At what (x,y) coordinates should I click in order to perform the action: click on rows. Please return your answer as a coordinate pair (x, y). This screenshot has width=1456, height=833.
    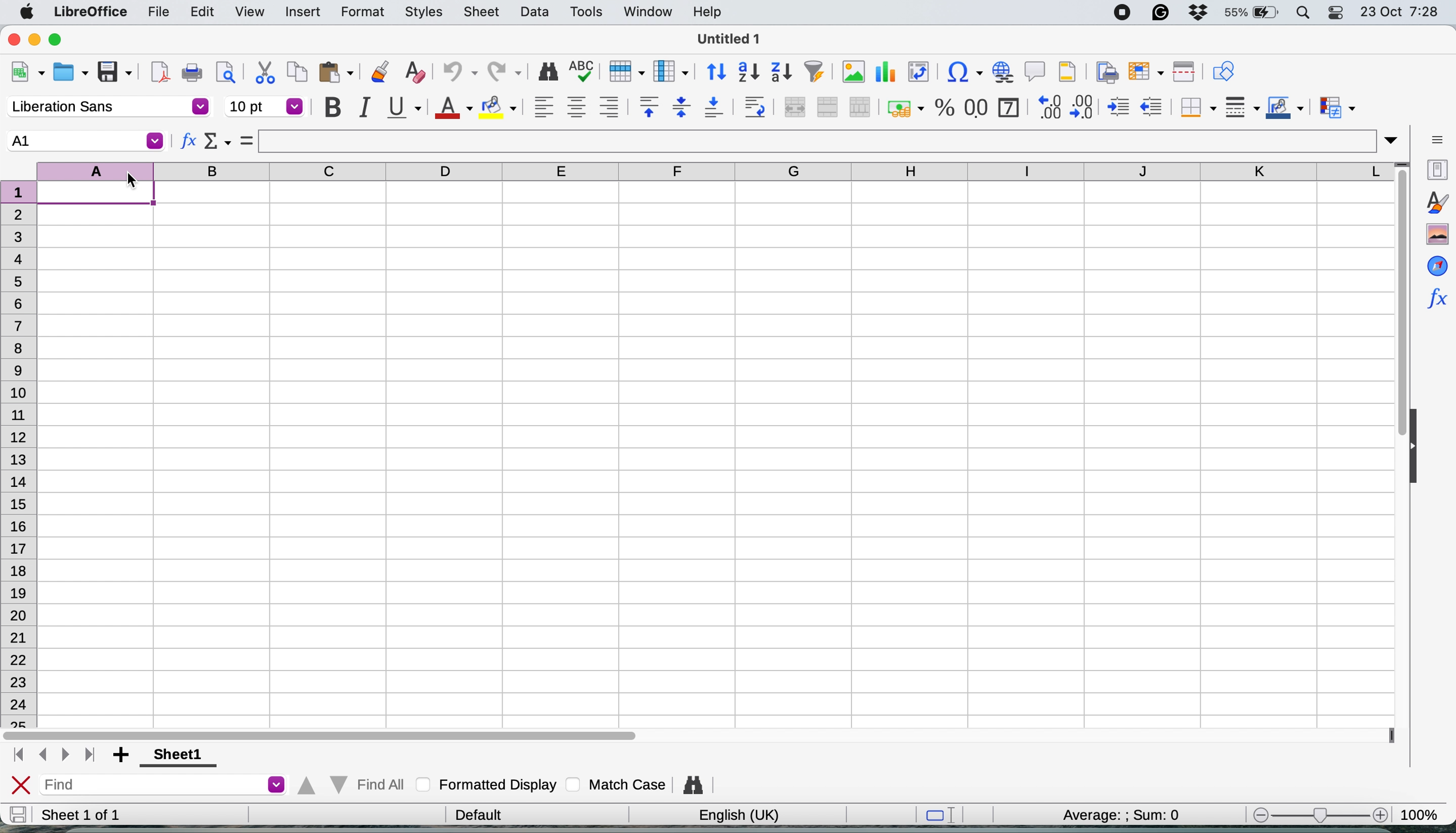
    Looking at the image, I should click on (22, 451).